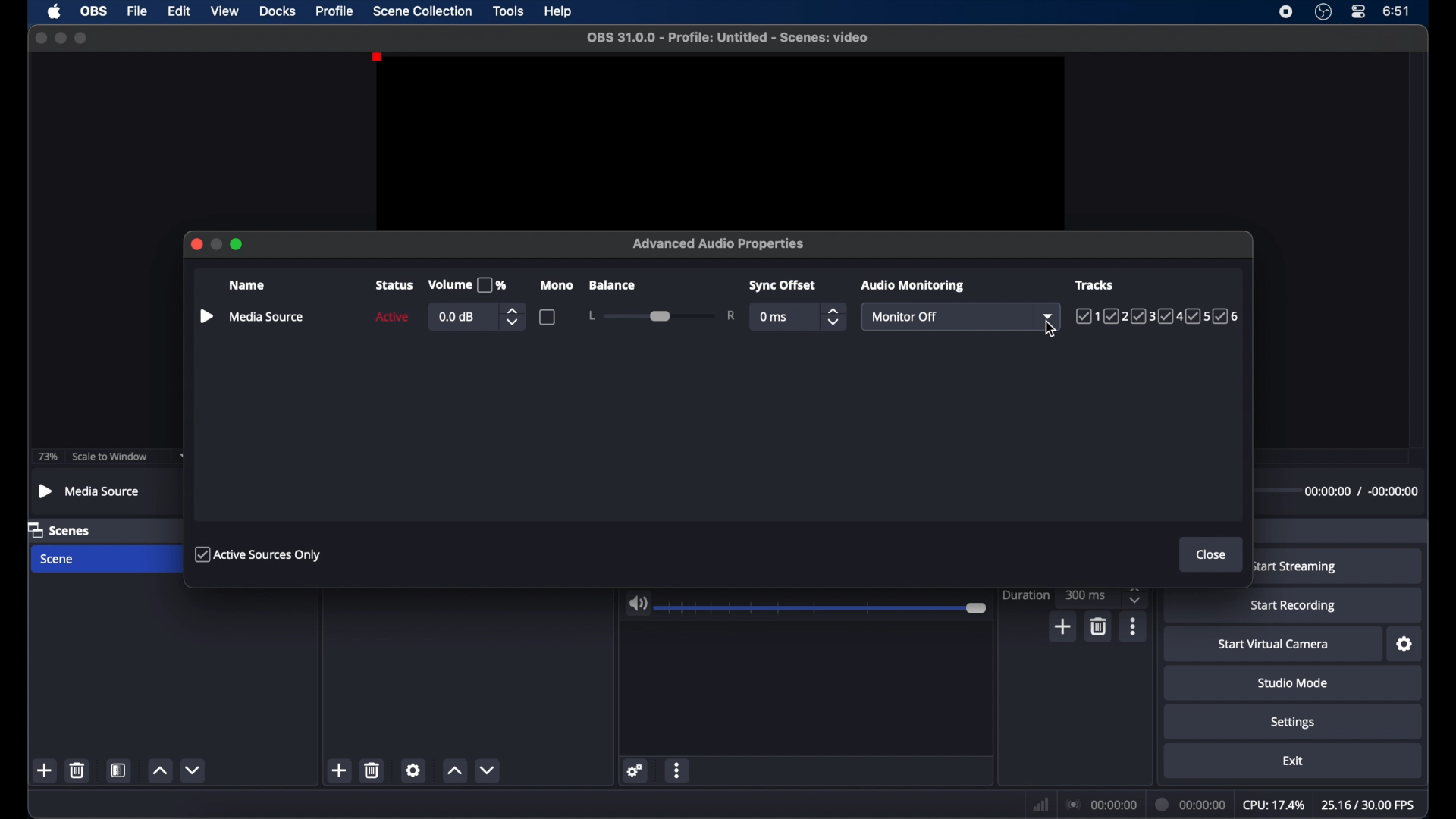 Image resolution: width=1456 pixels, height=819 pixels. I want to click on exit, so click(1293, 761).